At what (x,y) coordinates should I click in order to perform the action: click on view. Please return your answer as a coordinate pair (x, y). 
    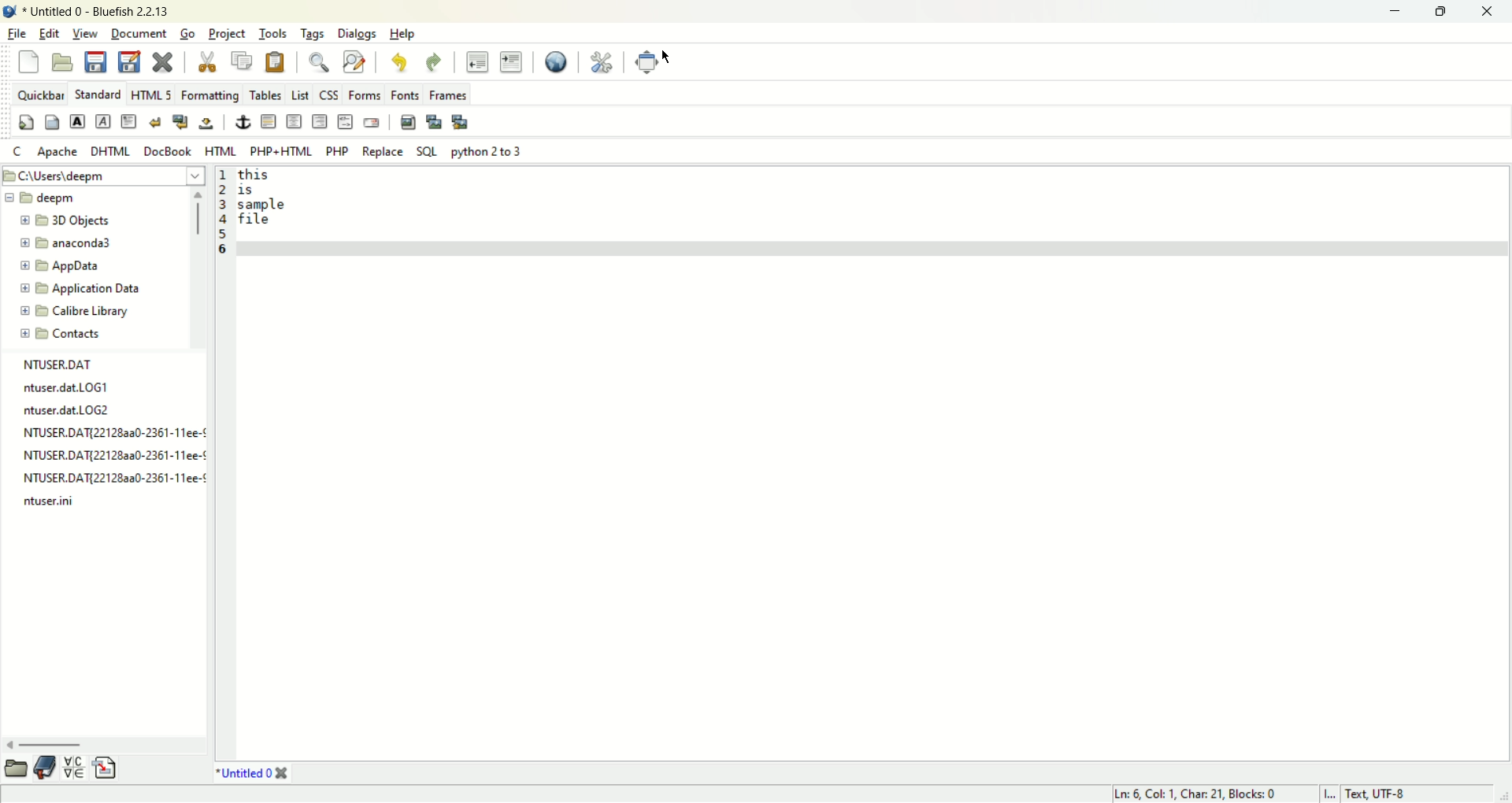
    Looking at the image, I should click on (86, 32).